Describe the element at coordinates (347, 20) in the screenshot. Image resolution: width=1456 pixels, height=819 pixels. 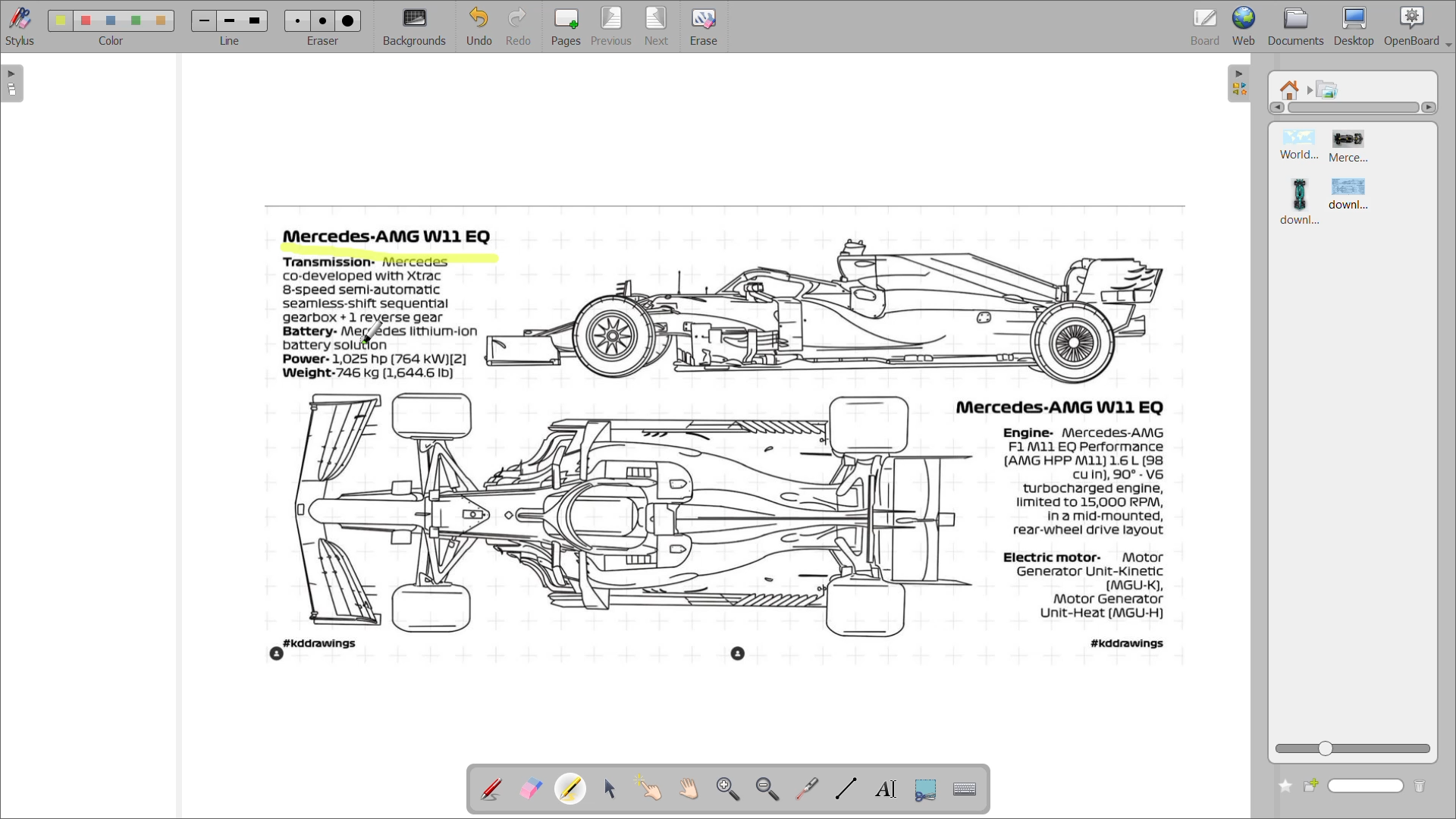
I see `eraser 3` at that location.